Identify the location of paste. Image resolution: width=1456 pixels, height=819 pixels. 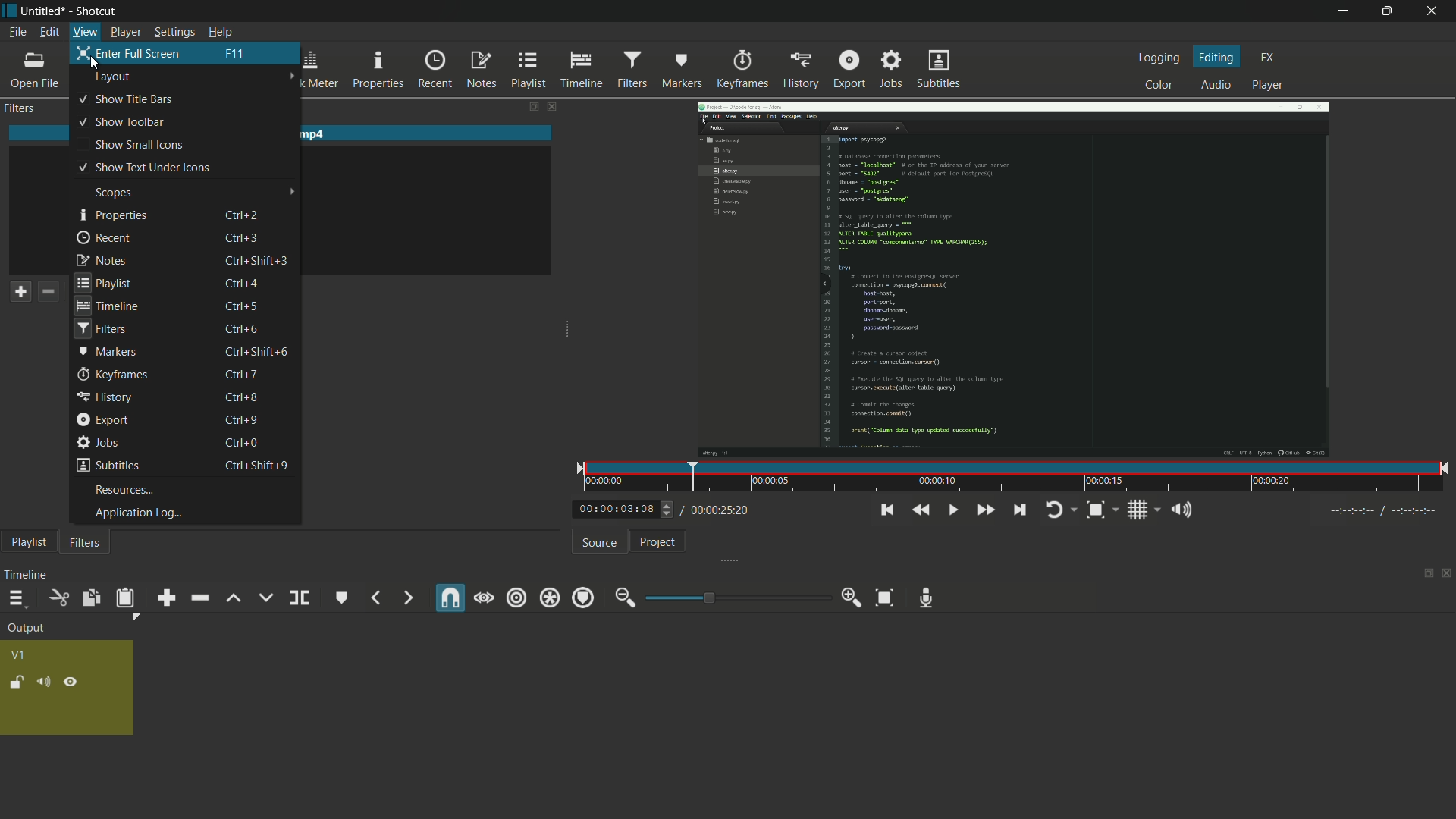
(124, 598).